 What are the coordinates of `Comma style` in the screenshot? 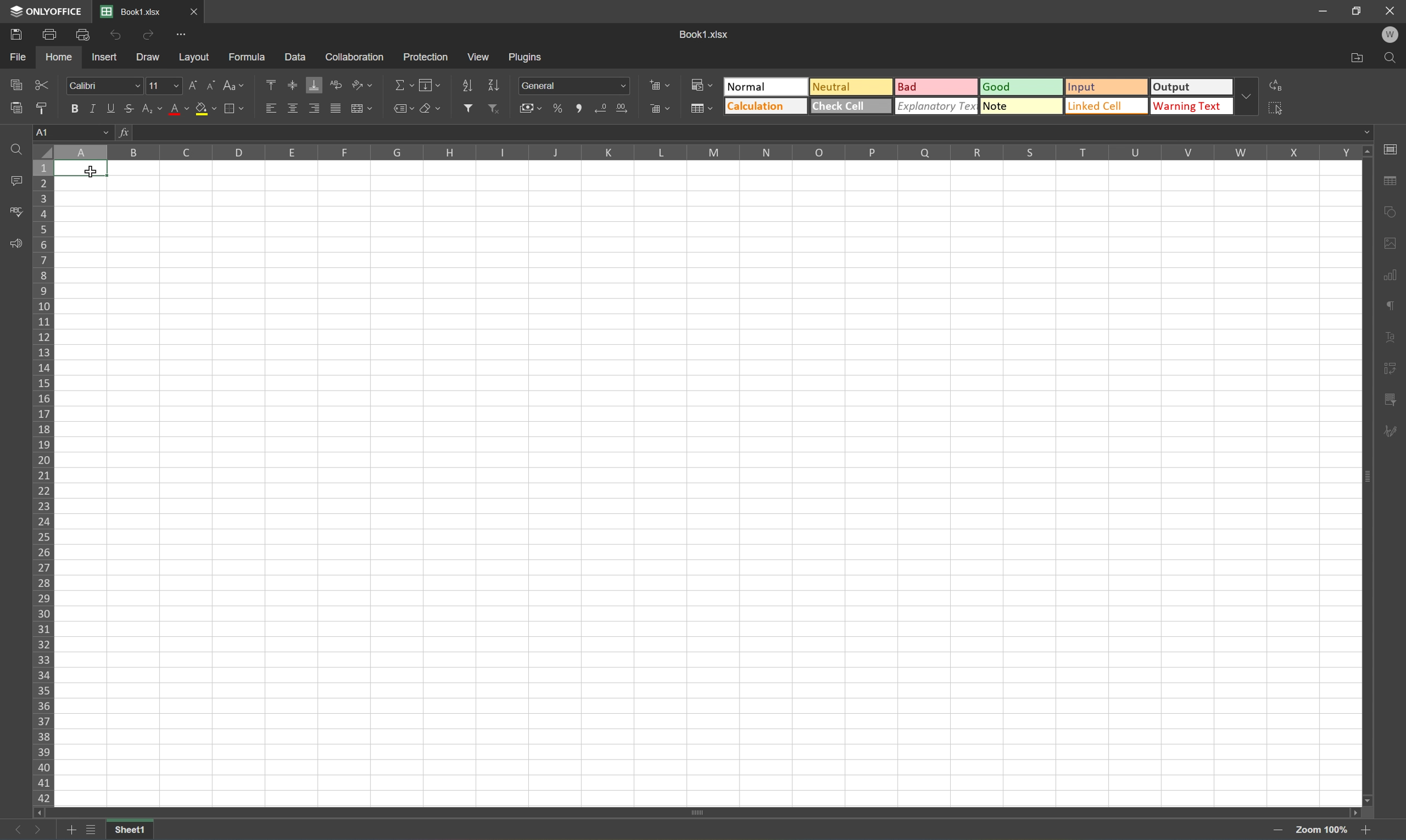 It's located at (582, 109).